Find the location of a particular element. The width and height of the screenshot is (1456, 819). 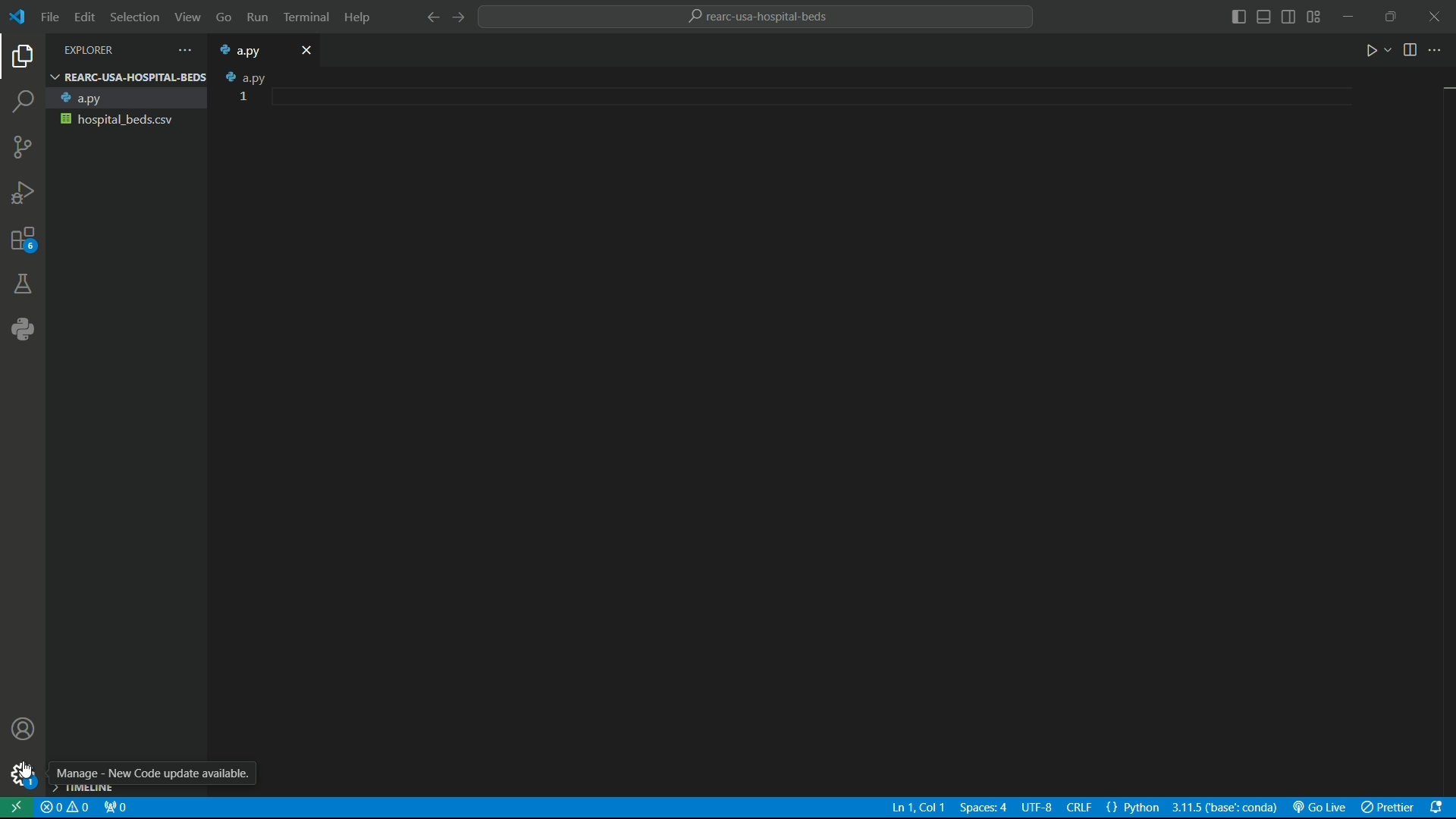

run or debugging is located at coordinates (22, 193).